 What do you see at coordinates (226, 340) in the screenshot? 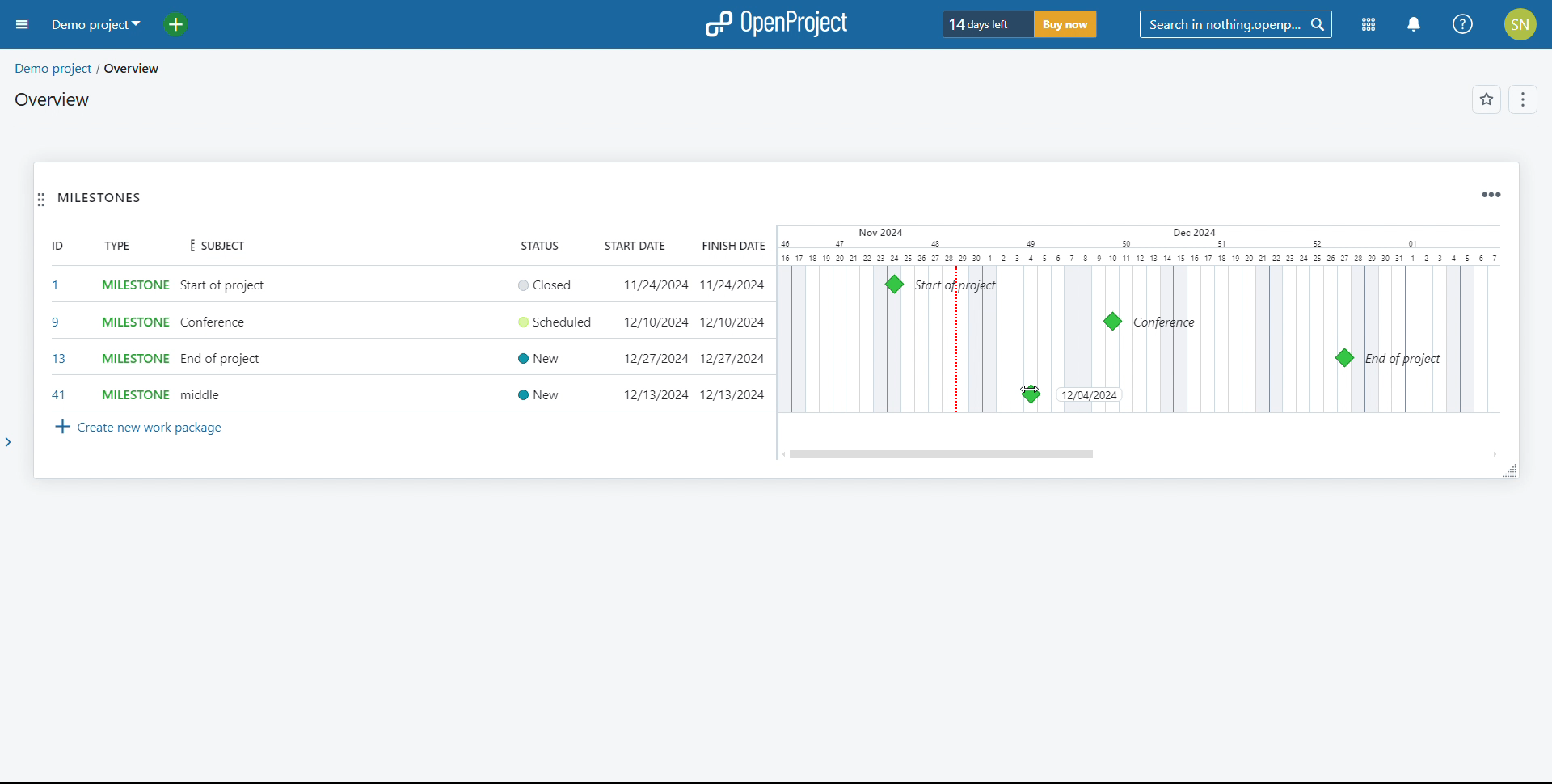
I see `add subject` at bounding box center [226, 340].